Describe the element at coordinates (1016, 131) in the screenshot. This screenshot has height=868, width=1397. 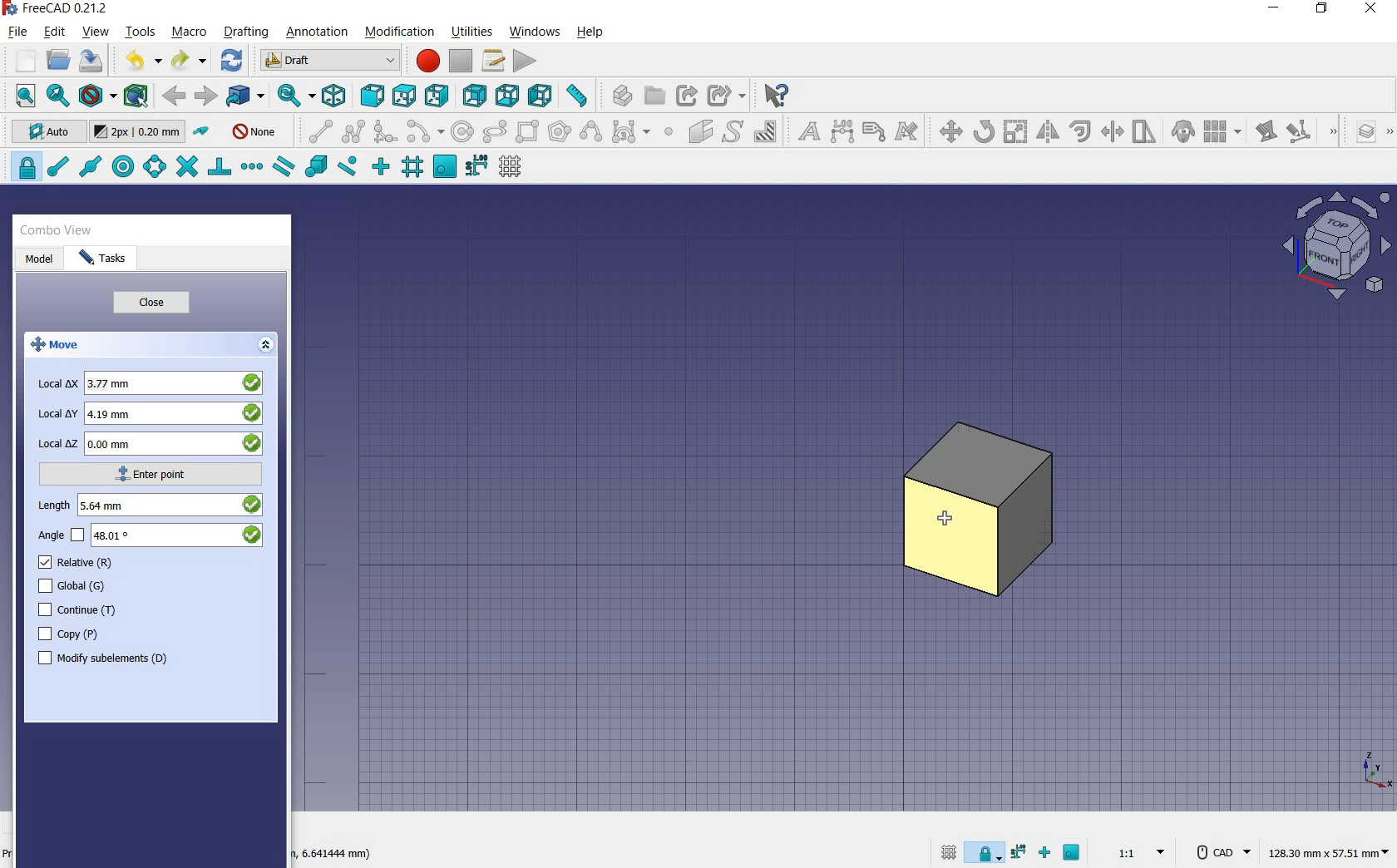
I see `scale` at that location.